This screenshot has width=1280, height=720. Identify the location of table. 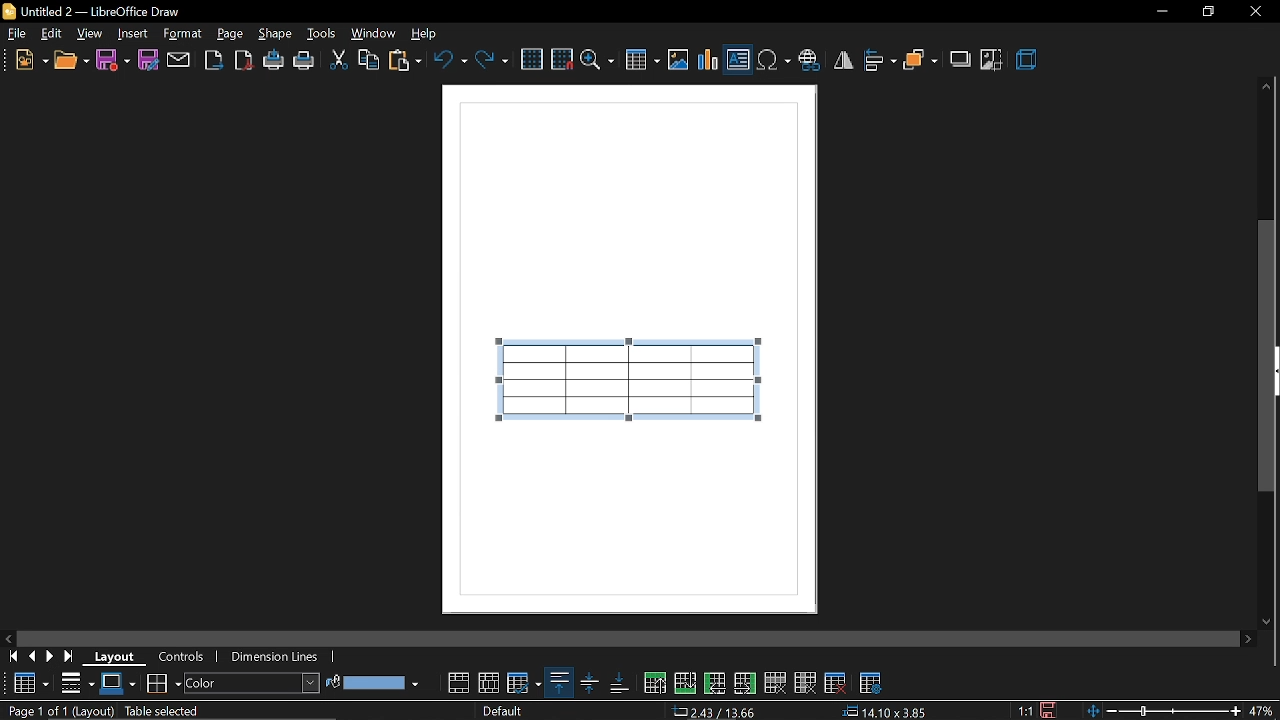
(627, 376).